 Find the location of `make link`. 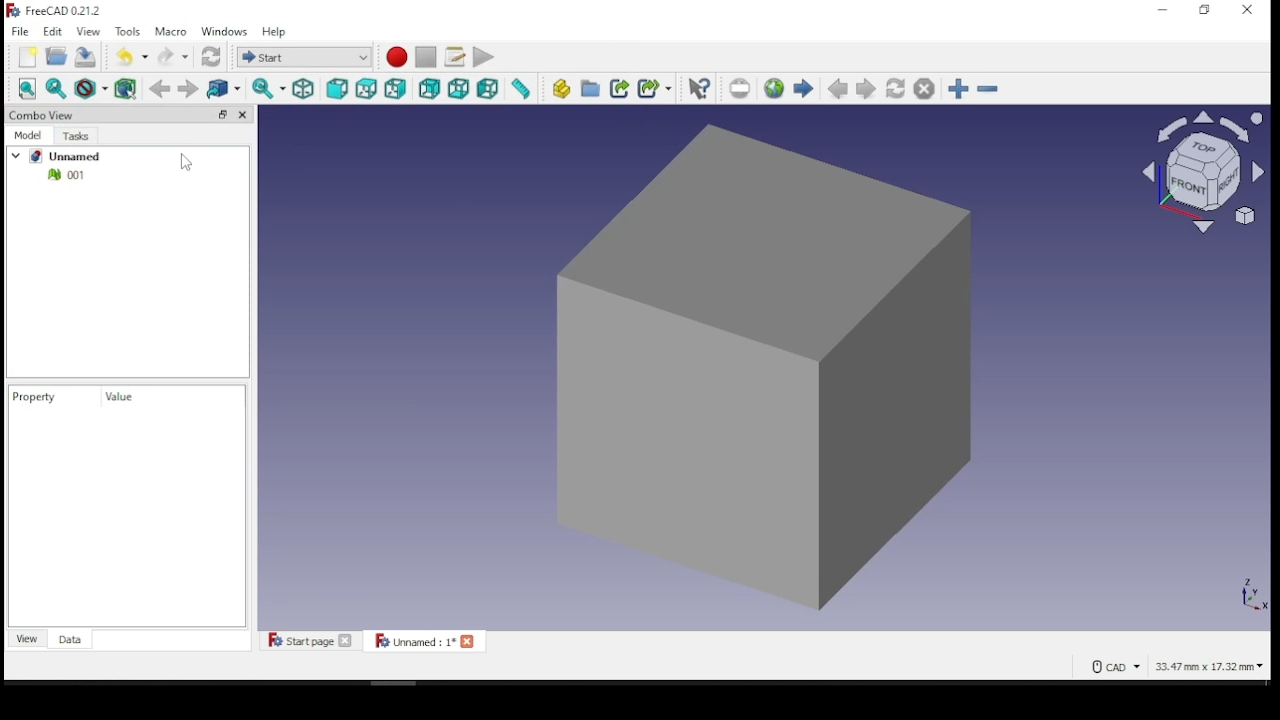

make link is located at coordinates (619, 87).